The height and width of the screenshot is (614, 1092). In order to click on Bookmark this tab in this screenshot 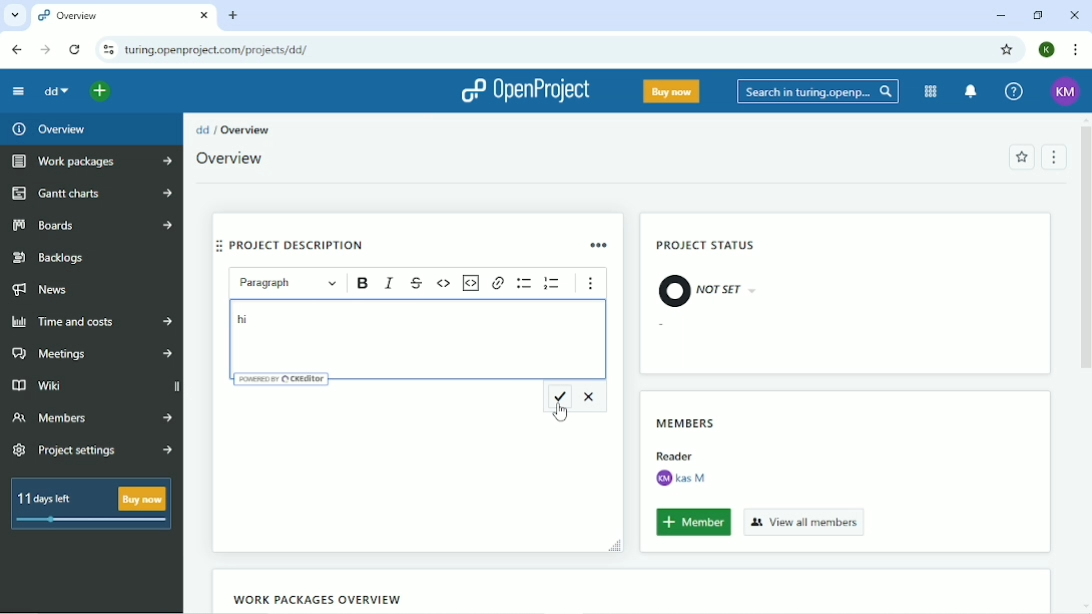, I will do `click(1006, 49)`.